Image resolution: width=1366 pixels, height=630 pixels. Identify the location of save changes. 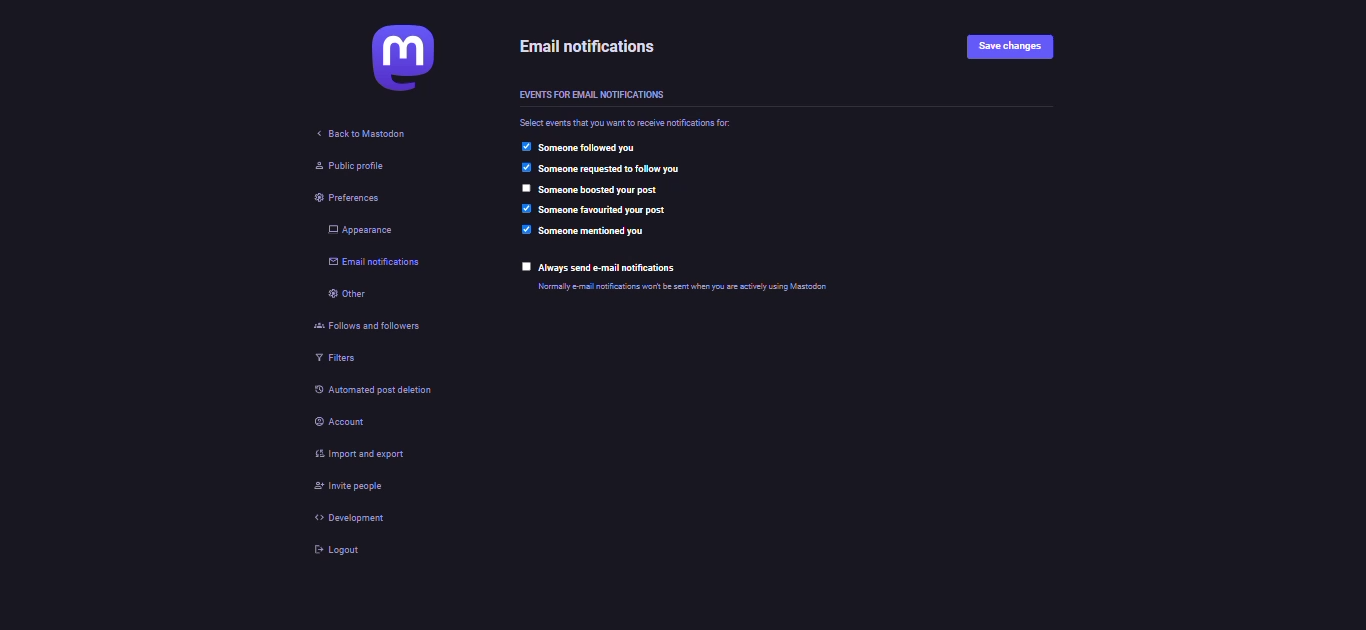
(1009, 48).